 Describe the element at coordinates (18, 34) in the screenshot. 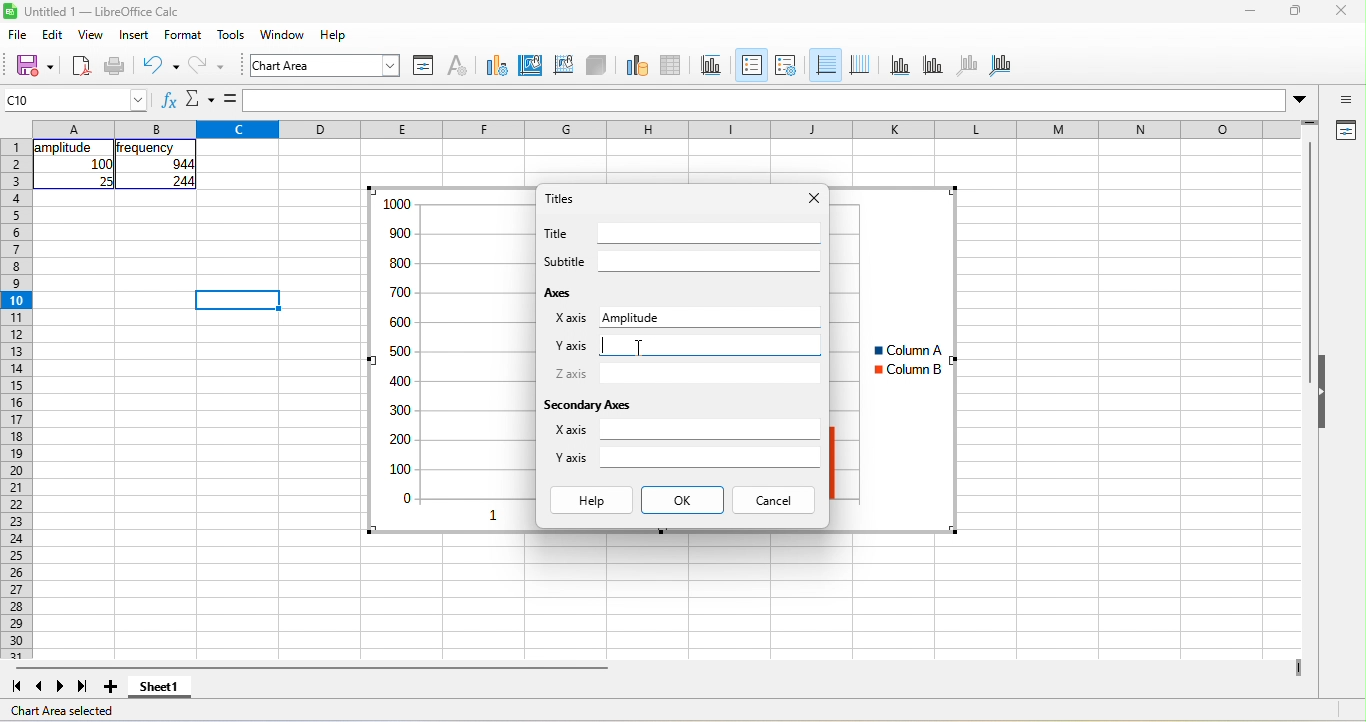

I see `file` at that location.